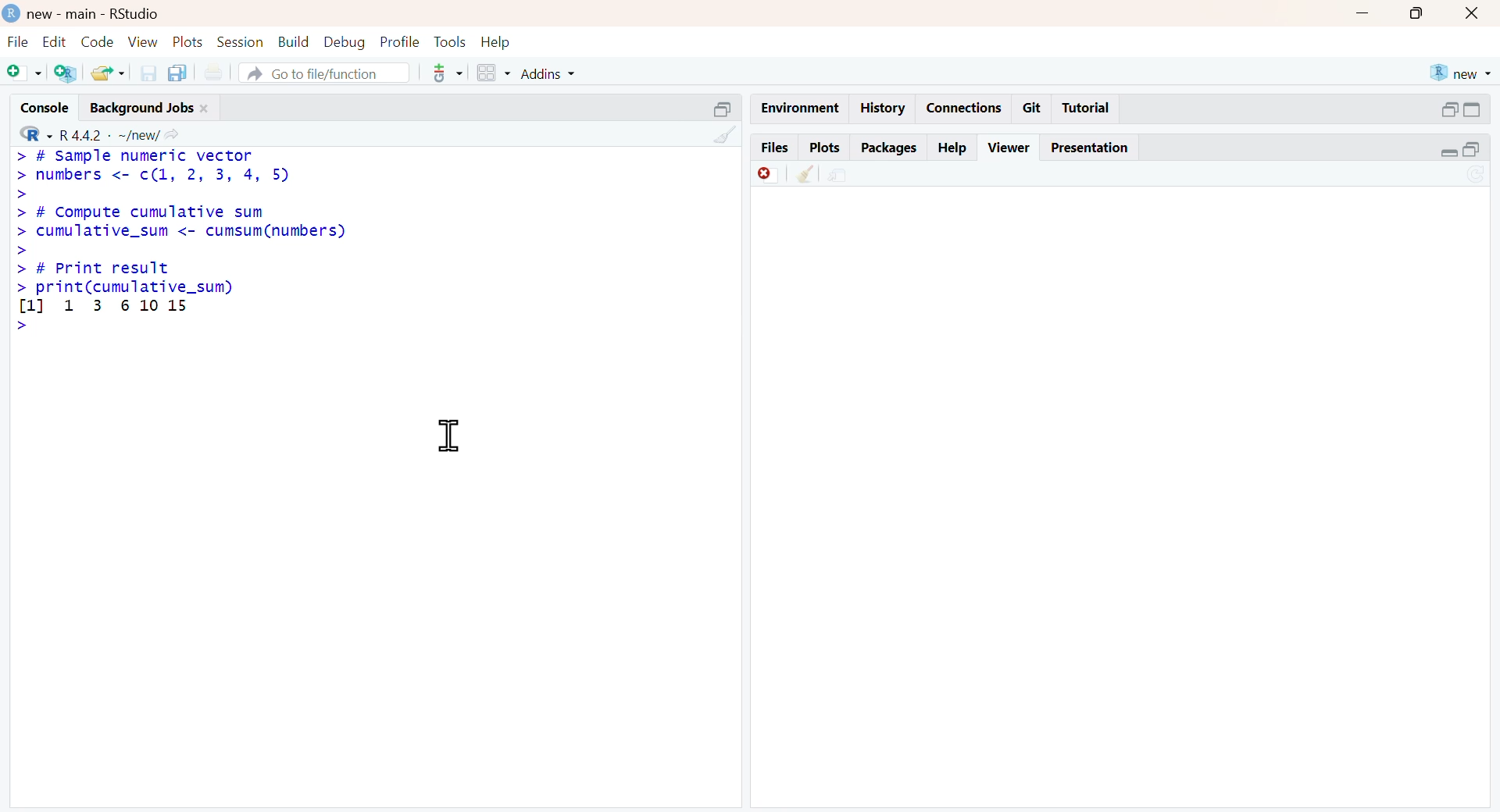 The width and height of the screenshot is (1500, 812). I want to click on R, so click(37, 133).